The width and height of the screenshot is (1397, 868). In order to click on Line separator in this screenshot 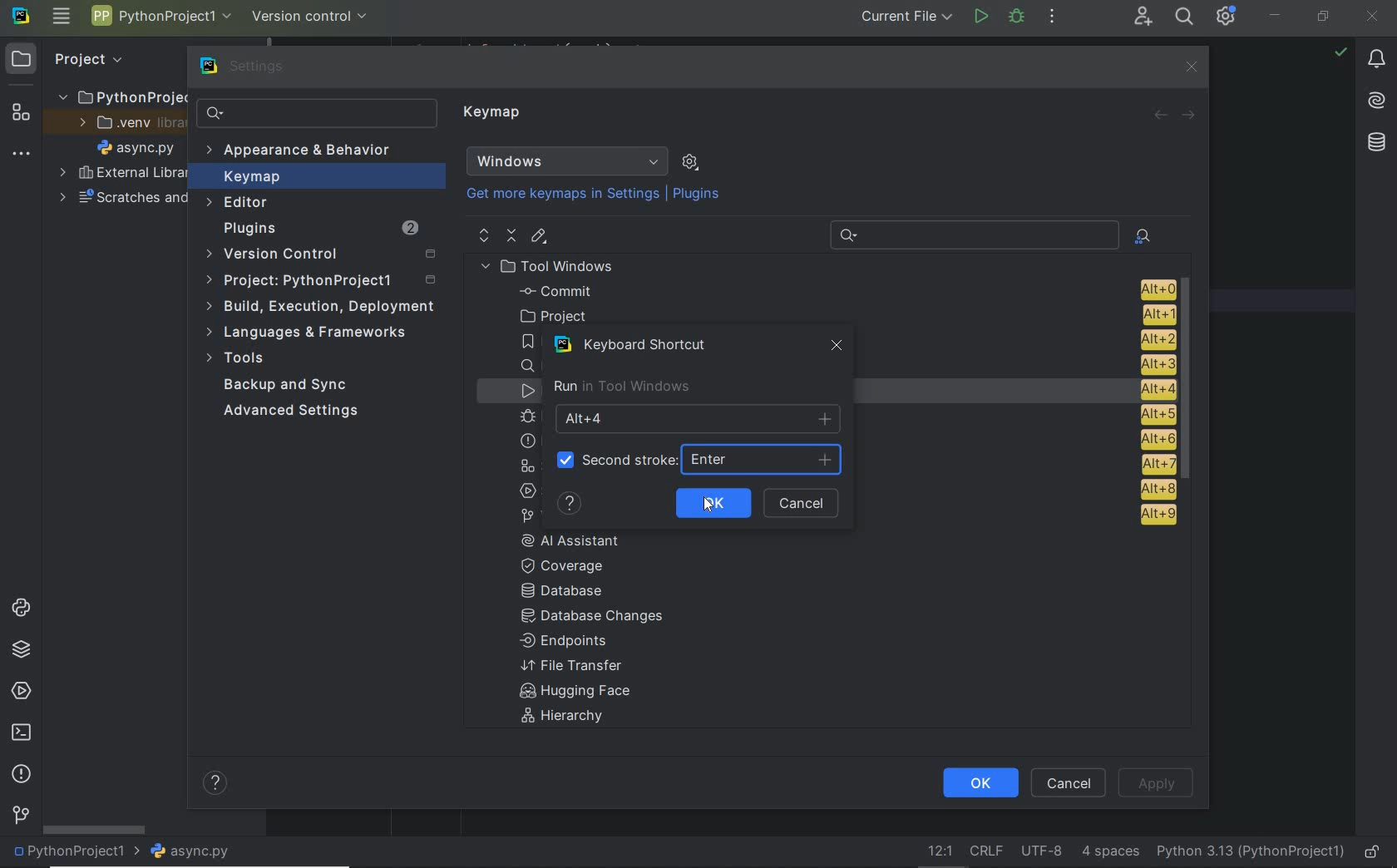, I will do `click(985, 851)`.